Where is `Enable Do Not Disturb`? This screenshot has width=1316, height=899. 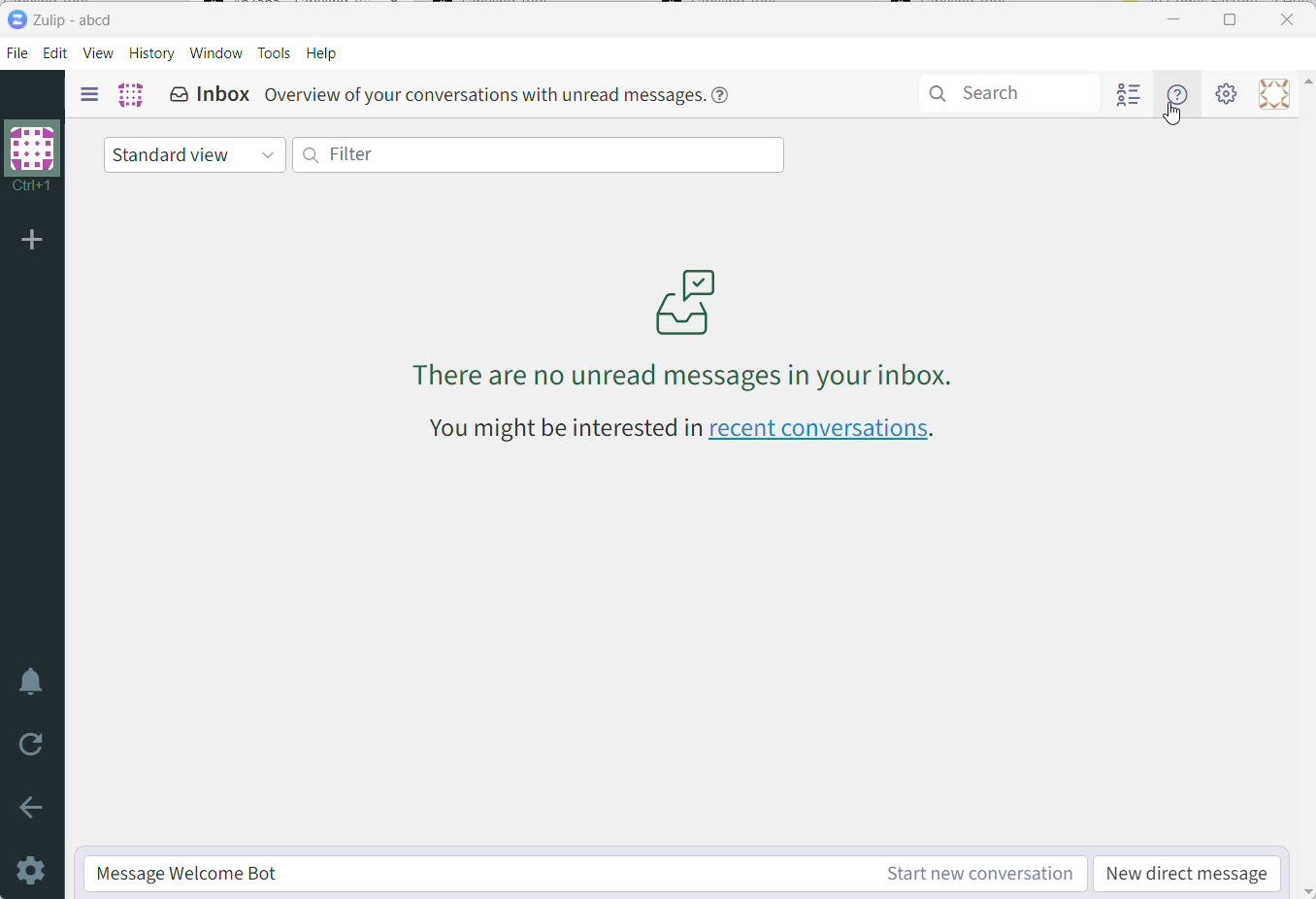 Enable Do Not Disturb is located at coordinates (33, 683).